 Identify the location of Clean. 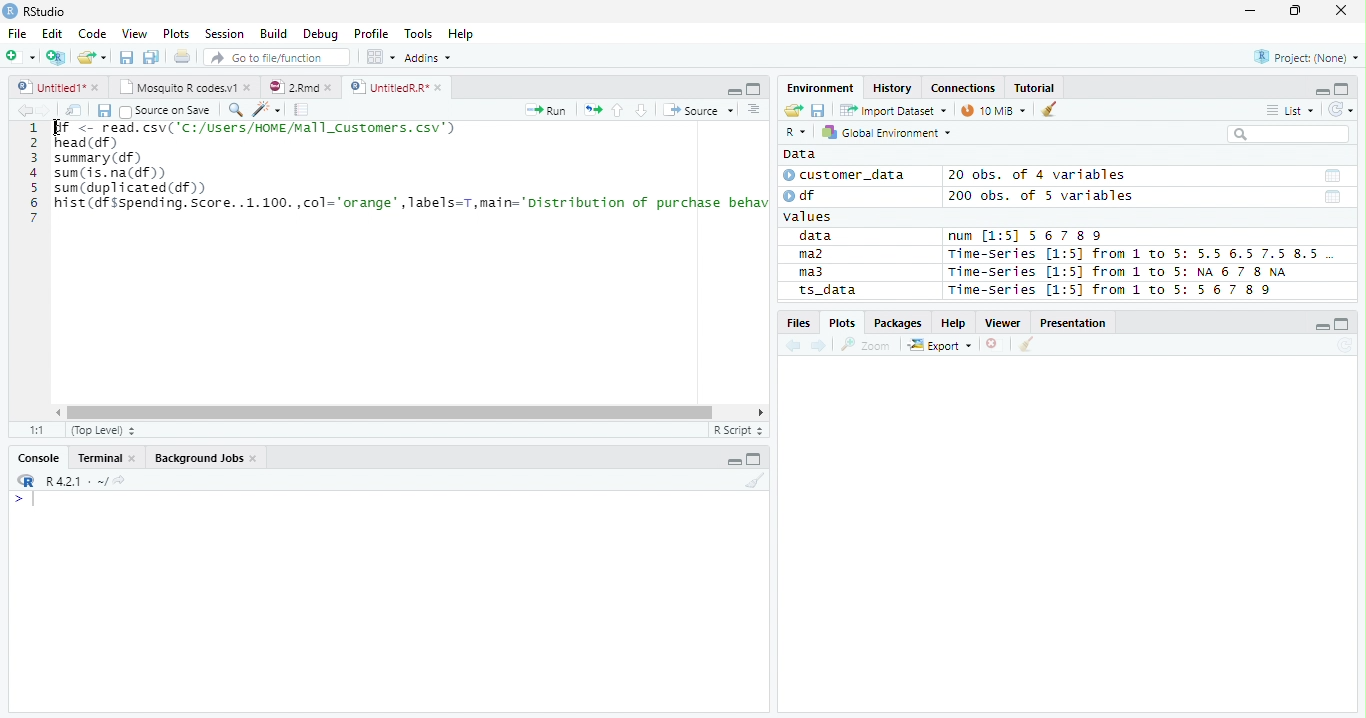
(1051, 108).